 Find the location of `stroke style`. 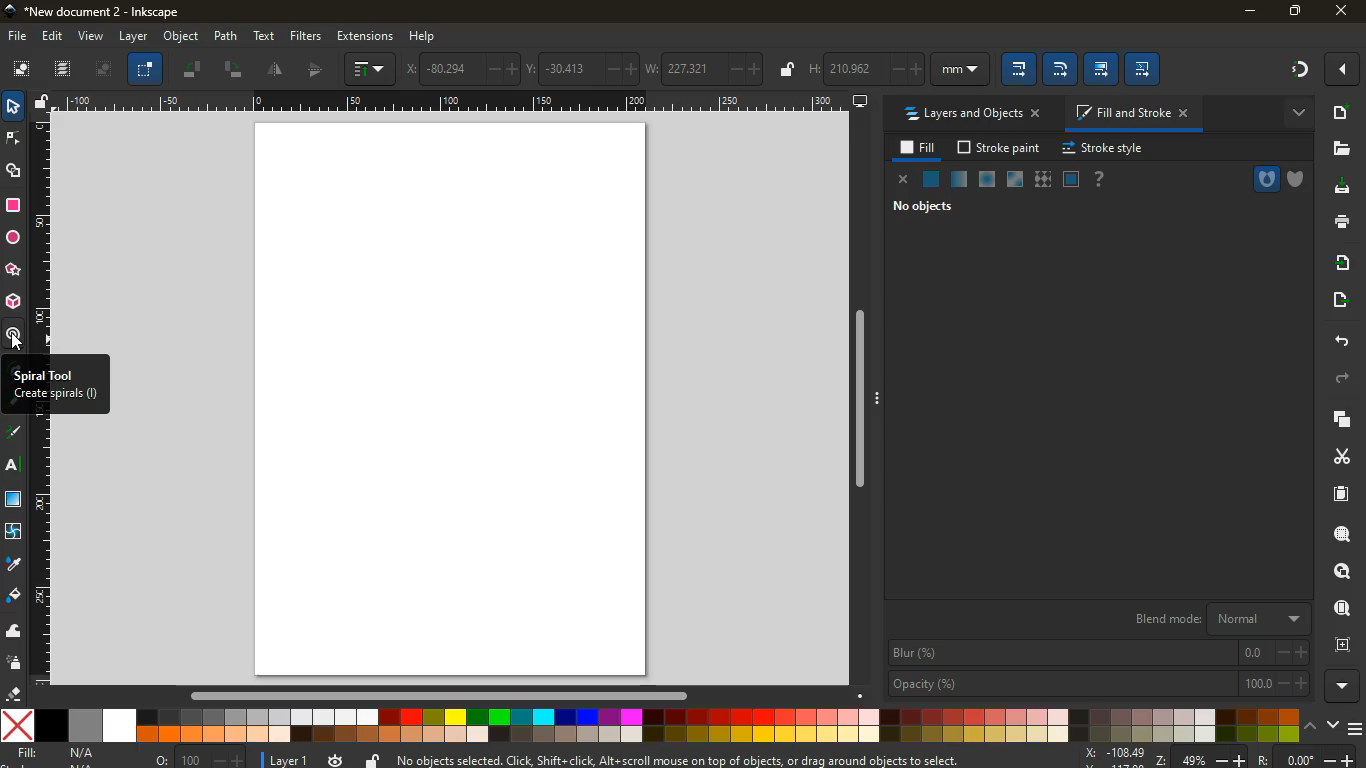

stroke style is located at coordinates (1106, 149).